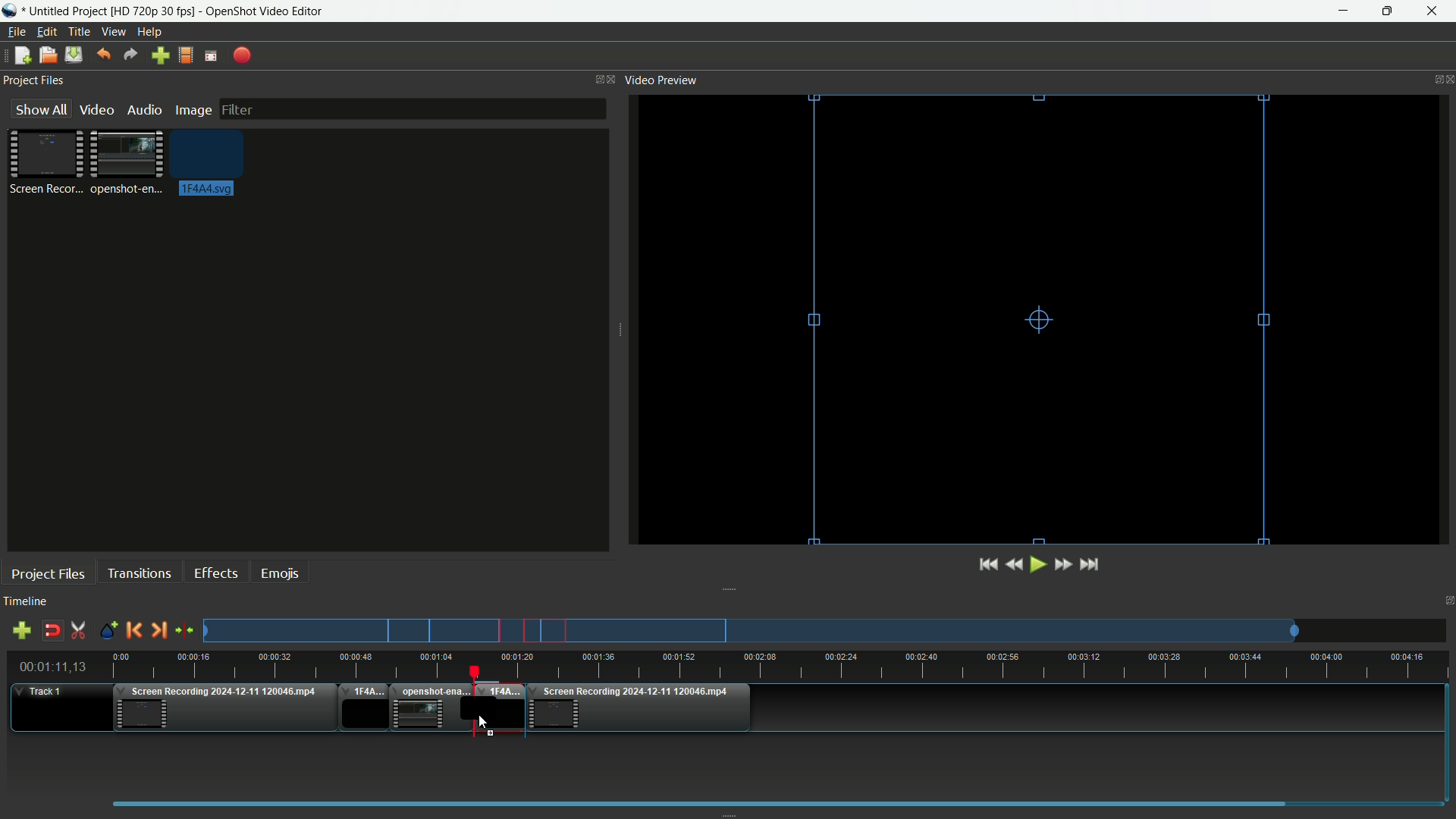 Image resolution: width=1456 pixels, height=819 pixels. What do you see at coordinates (130, 55) in the screenshot?
I see `Redo` at bounding box center [130, 55].